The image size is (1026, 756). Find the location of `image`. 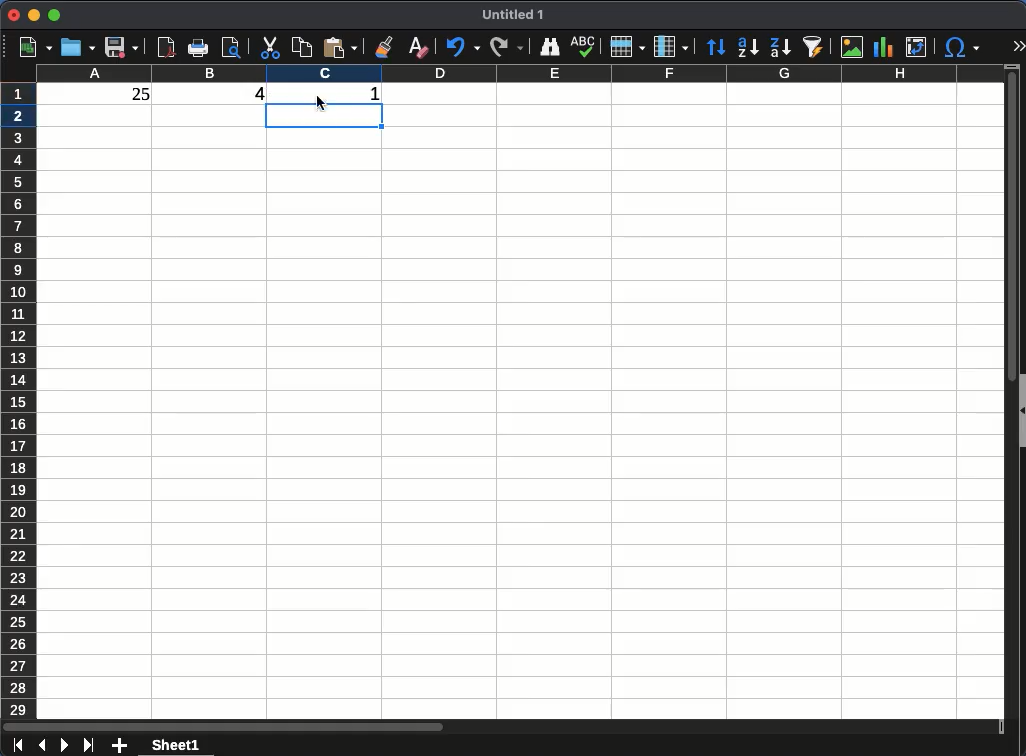

image is located at coordinates (852, 48).